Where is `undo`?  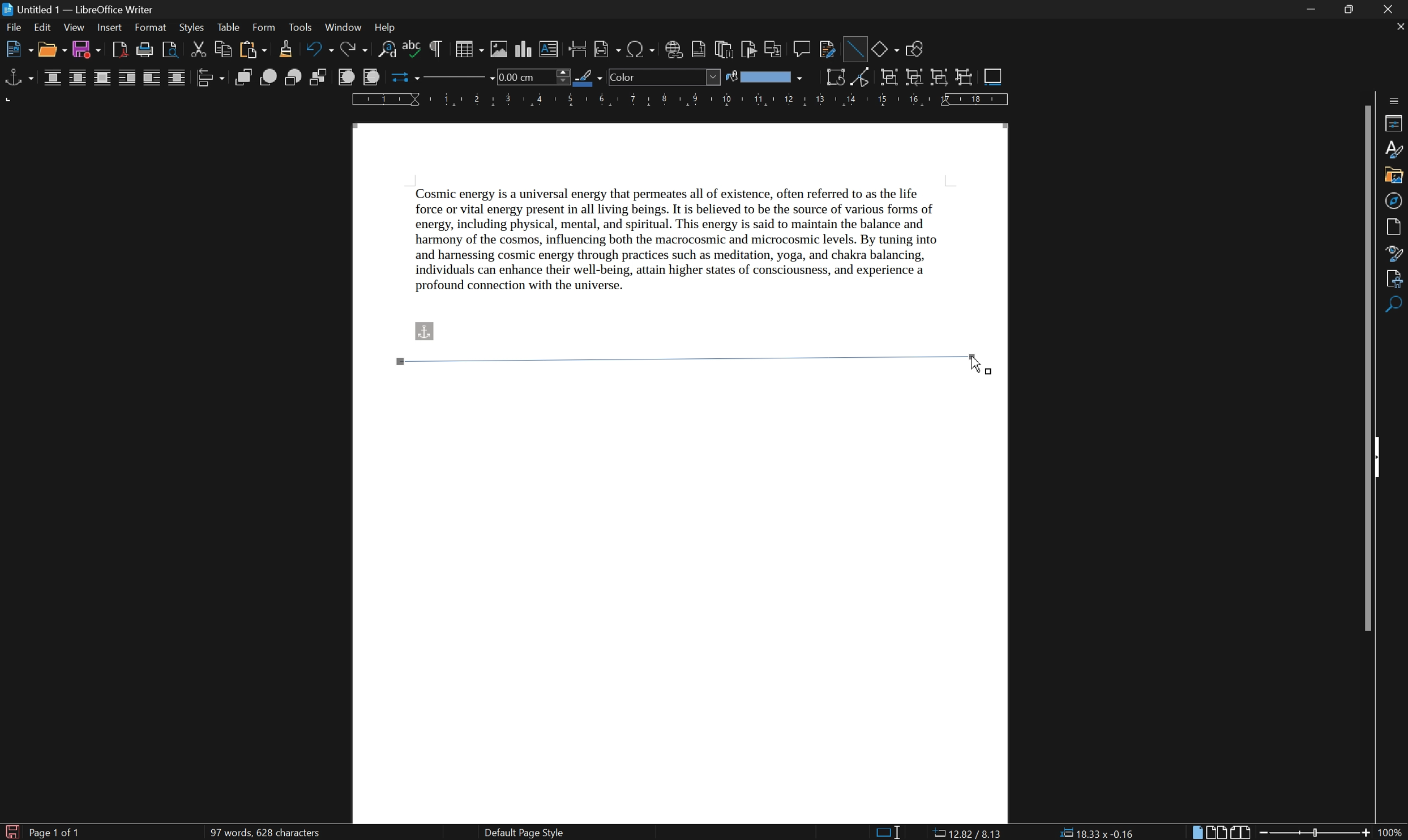 undo is located at coordinates (320, 50).